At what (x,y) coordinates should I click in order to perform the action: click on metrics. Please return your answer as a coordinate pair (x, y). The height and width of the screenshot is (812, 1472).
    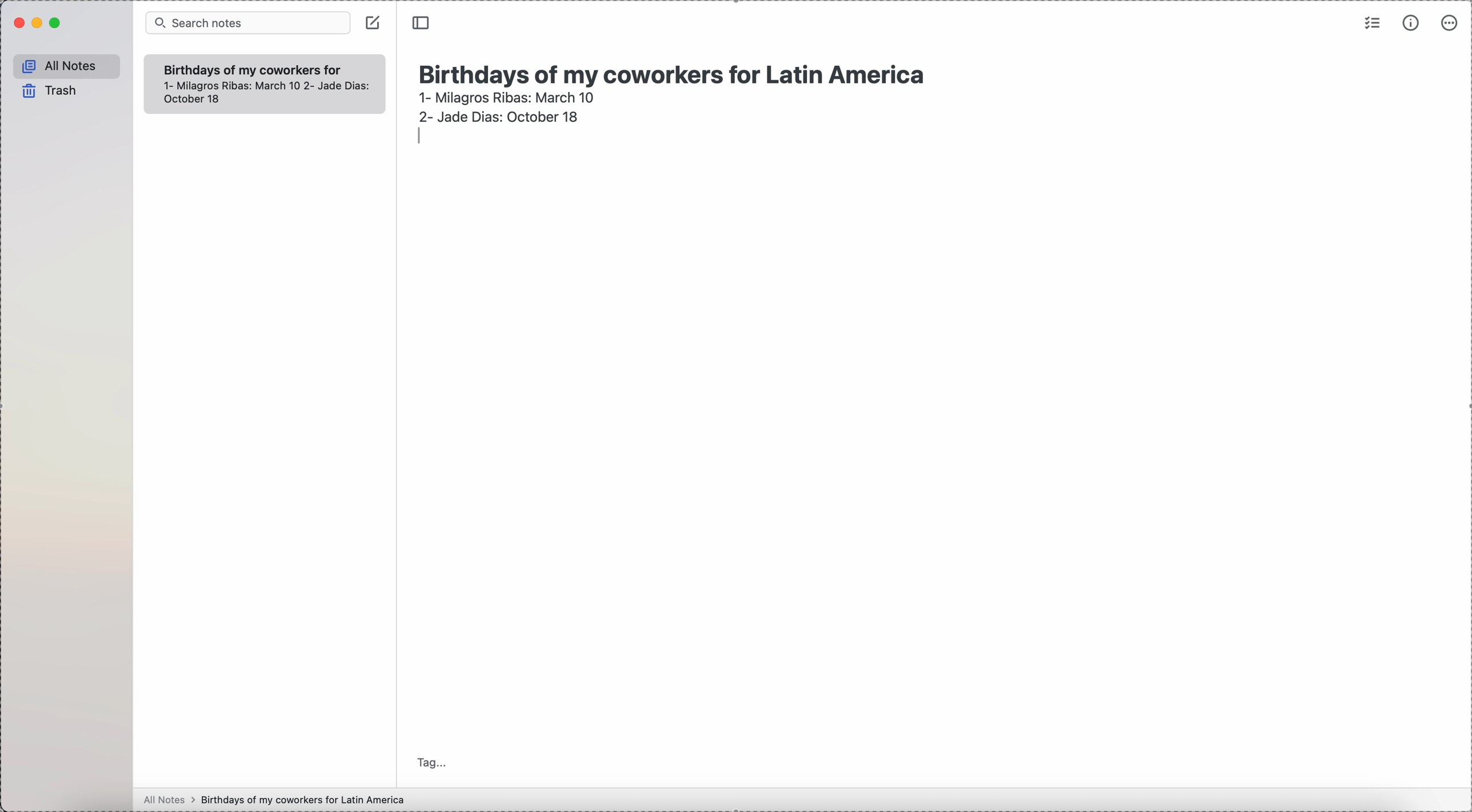
    Looking at the image, I should click on (1413, 22).